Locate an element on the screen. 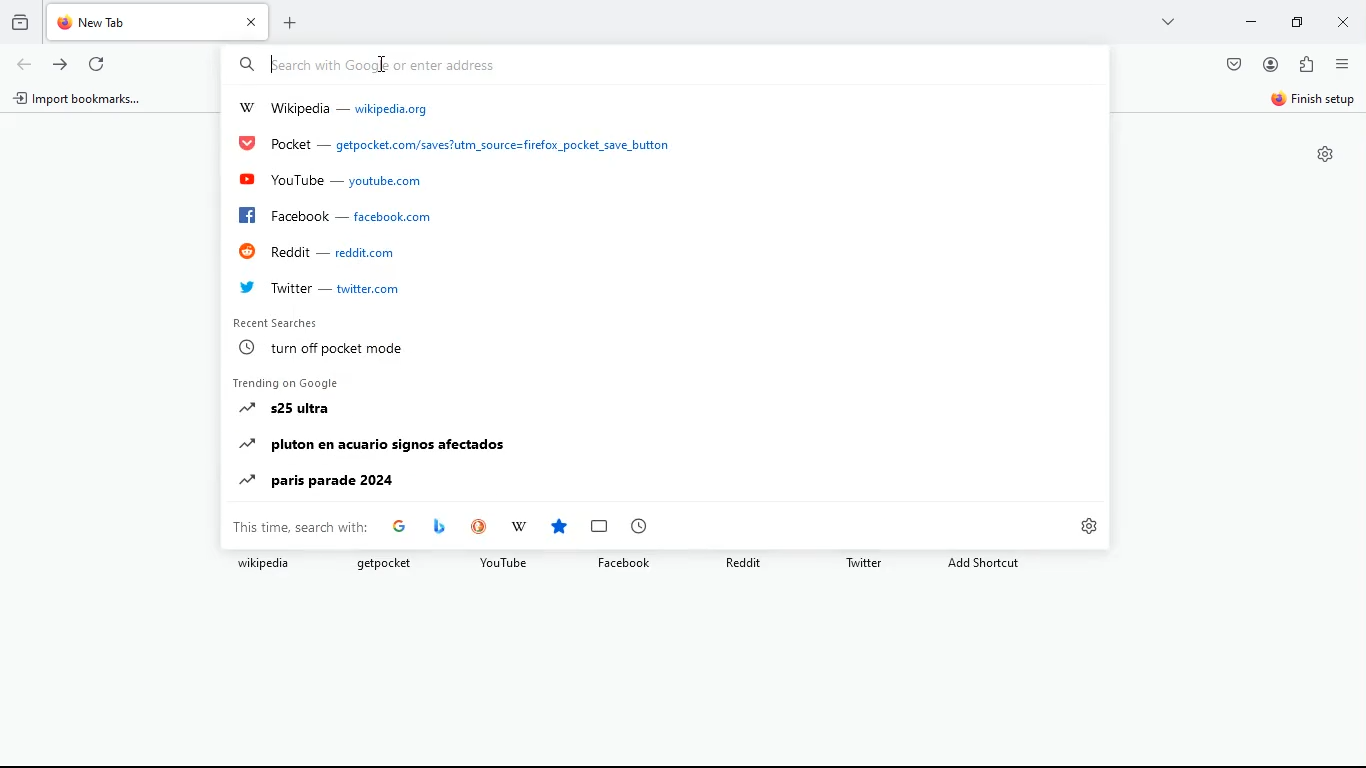 This screenshot has height=768, width=1366. Binge is located at coordinates (439, 525).